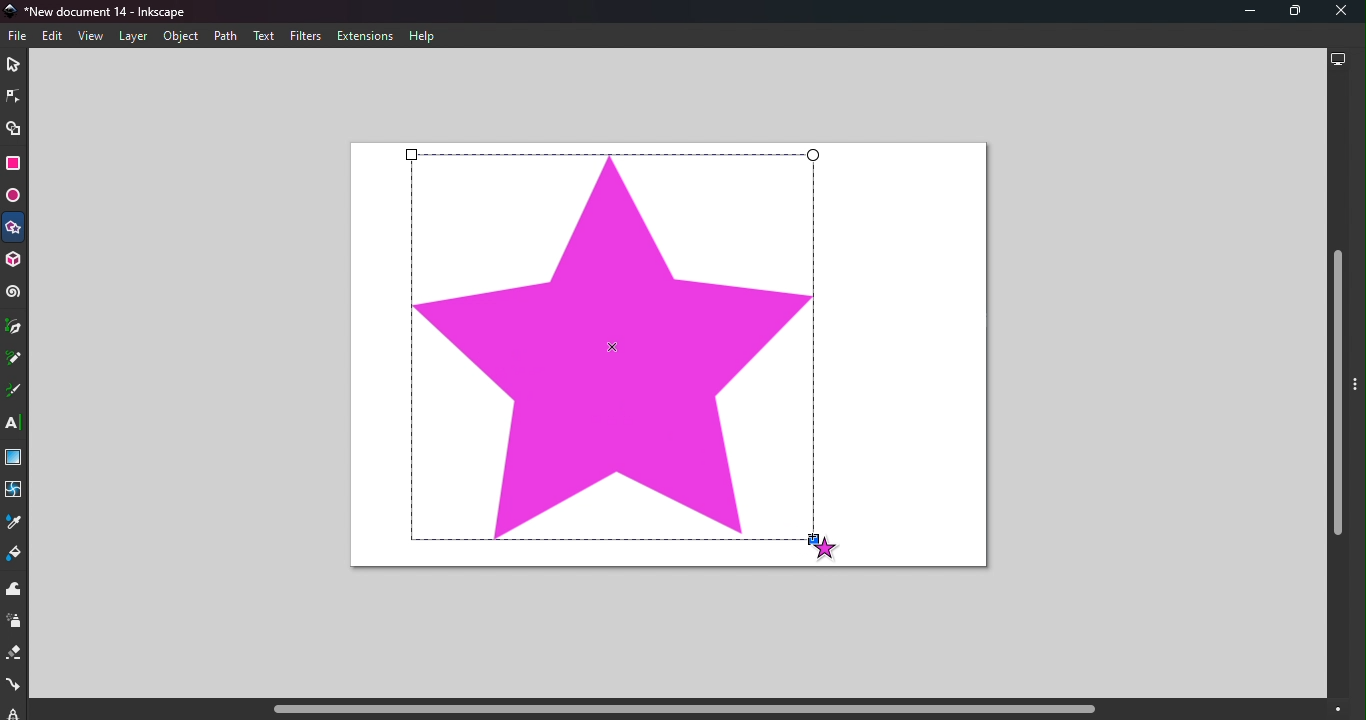 The width and height of the screenshot is (1366, 720). Describe the element at coordinates (132, 37) in the screenshot. I see `Layers` at that location.